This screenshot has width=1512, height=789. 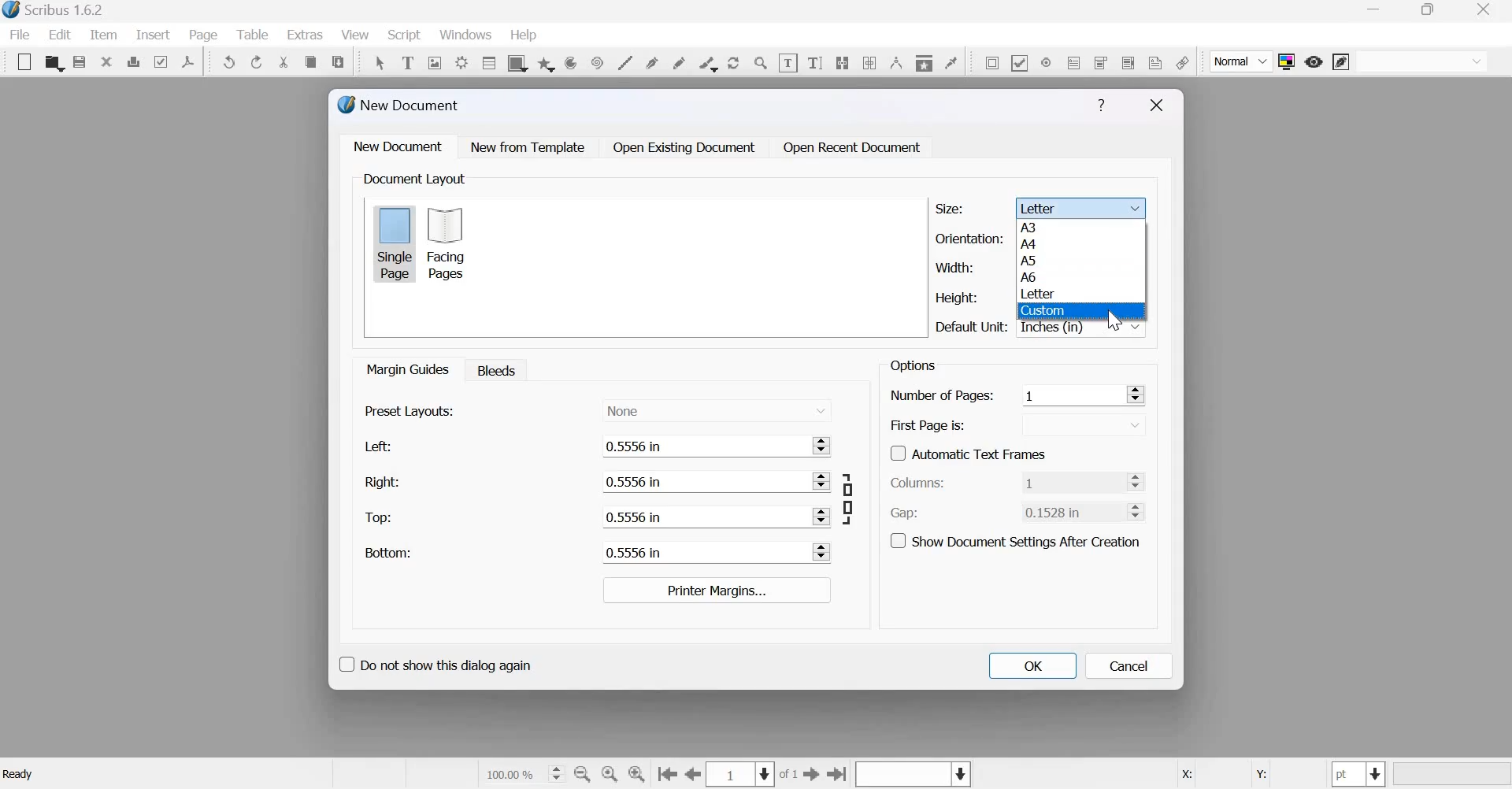 What do you see at coordinates (819, 444) in the screenshot?
I see `Increase and Decrease` at bounding box center [819, 444].